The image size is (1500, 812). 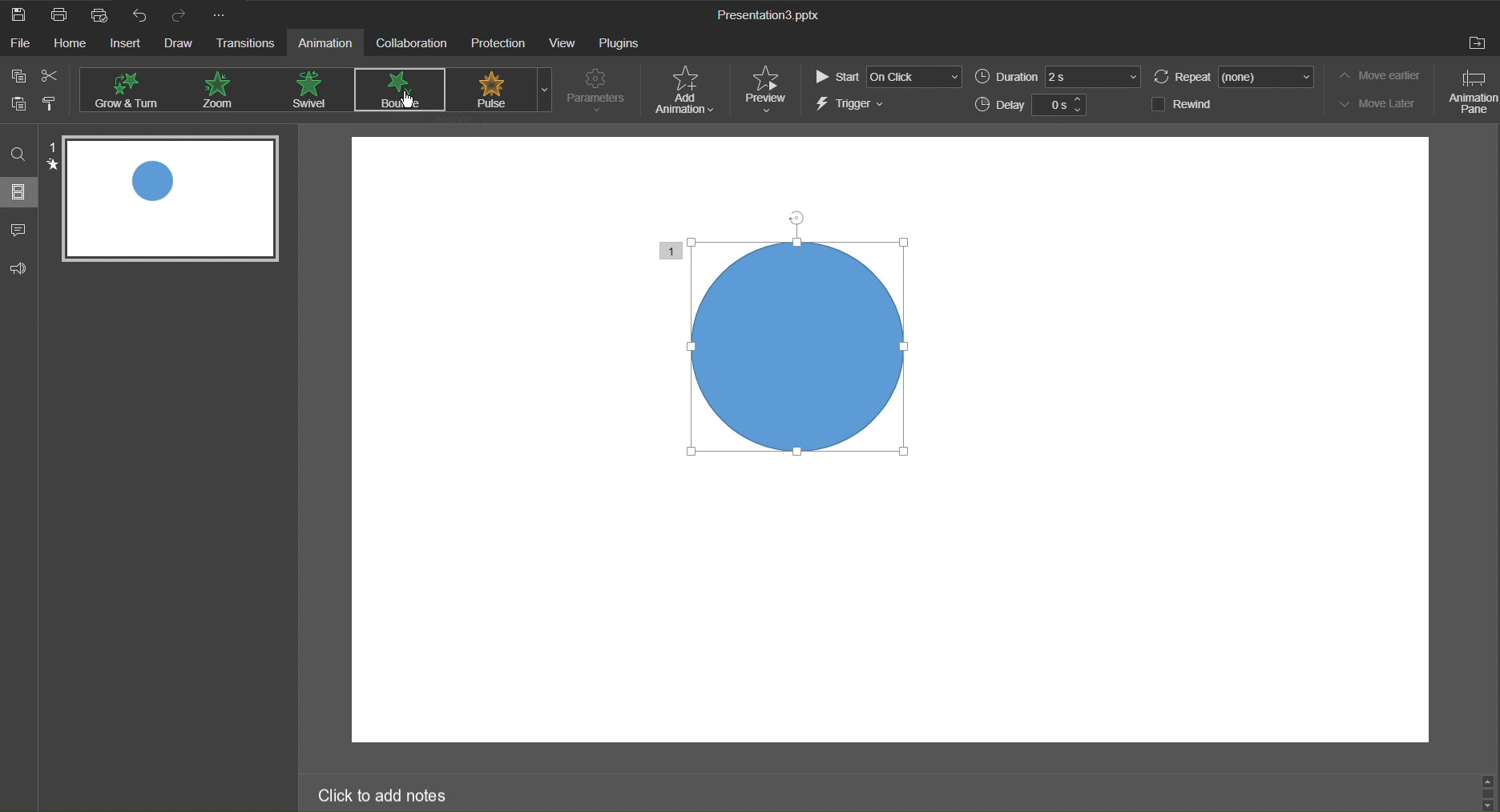 I want to click on Slide, so click(x=20, y=193).